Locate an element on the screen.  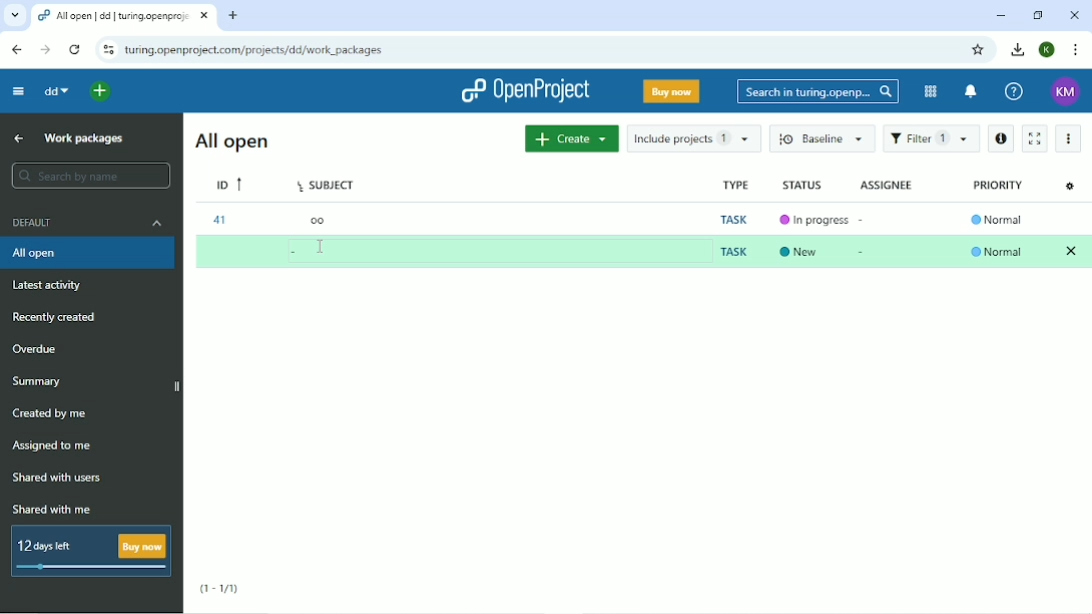
Filter 1 is located at coordinates (931, 139).